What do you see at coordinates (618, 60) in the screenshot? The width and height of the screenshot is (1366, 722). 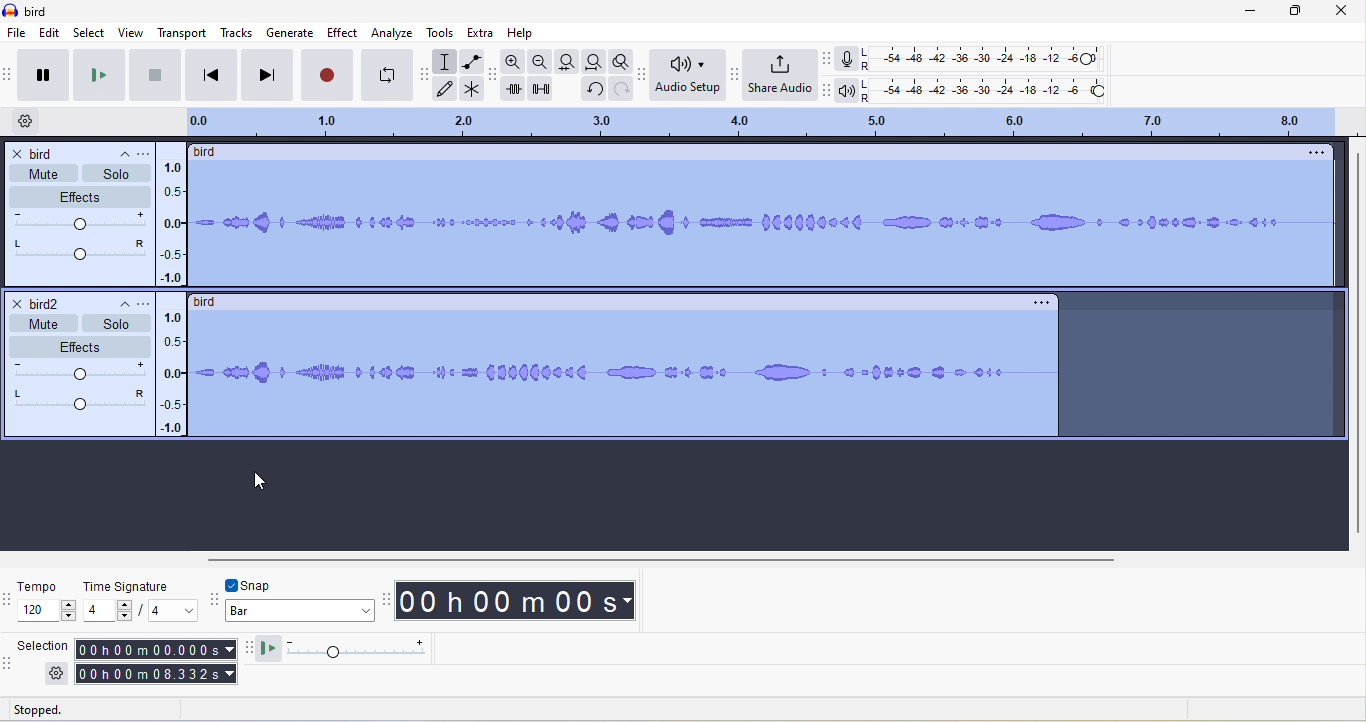 I see `zoom toggle` at bounding box center [618, 60].